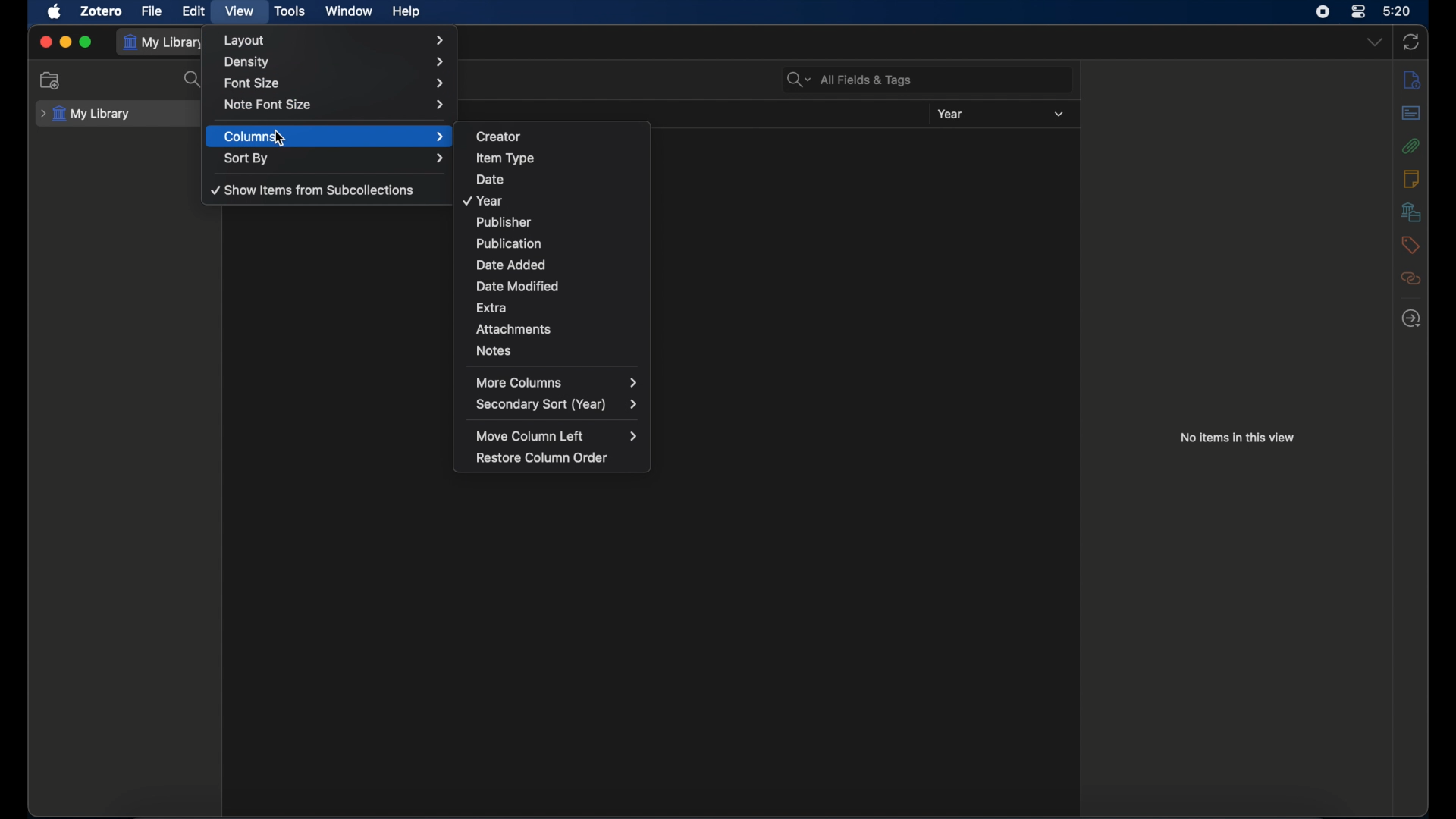 The image size is (1456, 819). Describe the element at coordinates (196, 11) in the screenshot. I see `edit` at that location.